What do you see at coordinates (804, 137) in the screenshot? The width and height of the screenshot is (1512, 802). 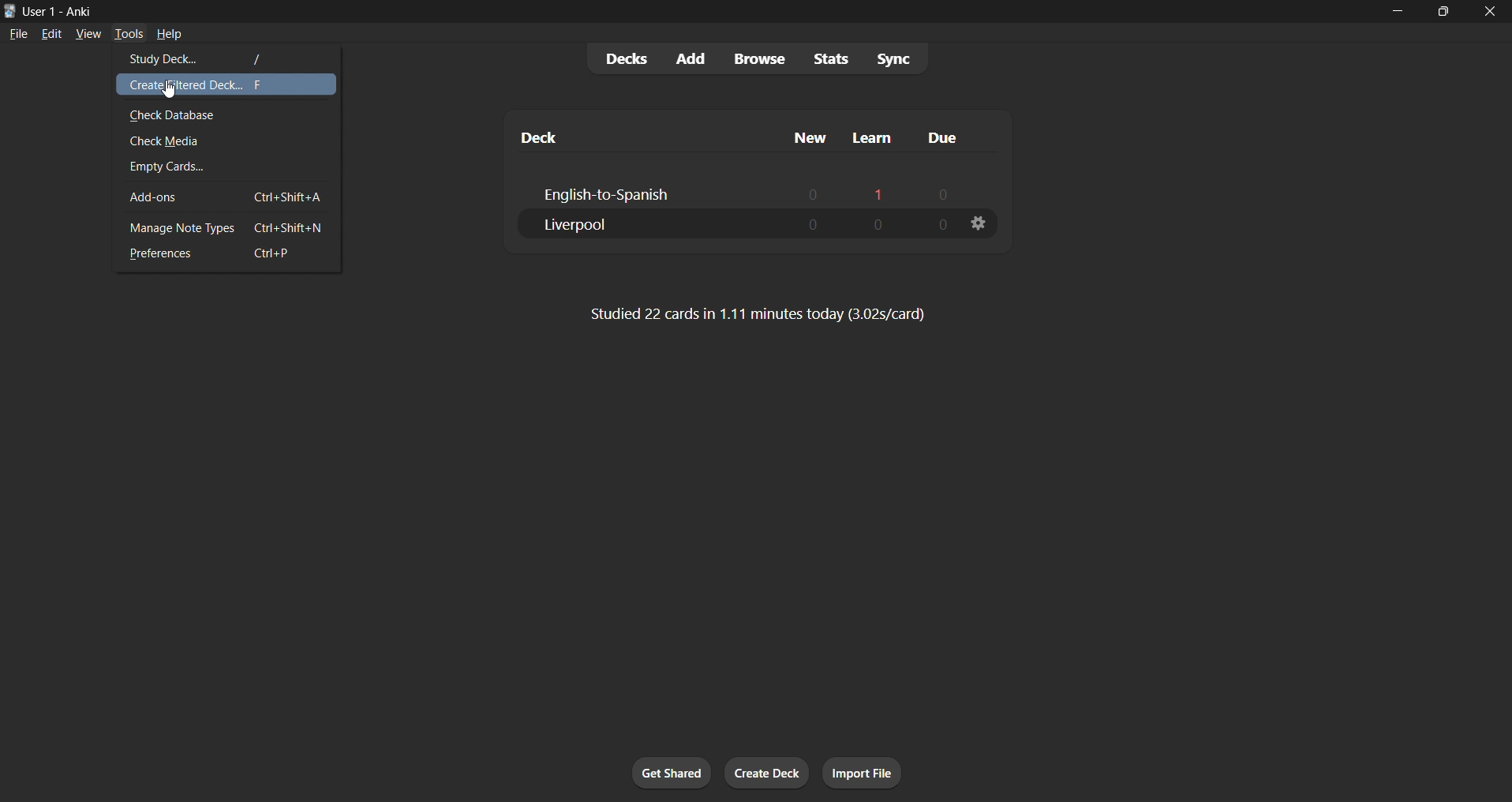 I see `new column` at bounding box center [804, 137].